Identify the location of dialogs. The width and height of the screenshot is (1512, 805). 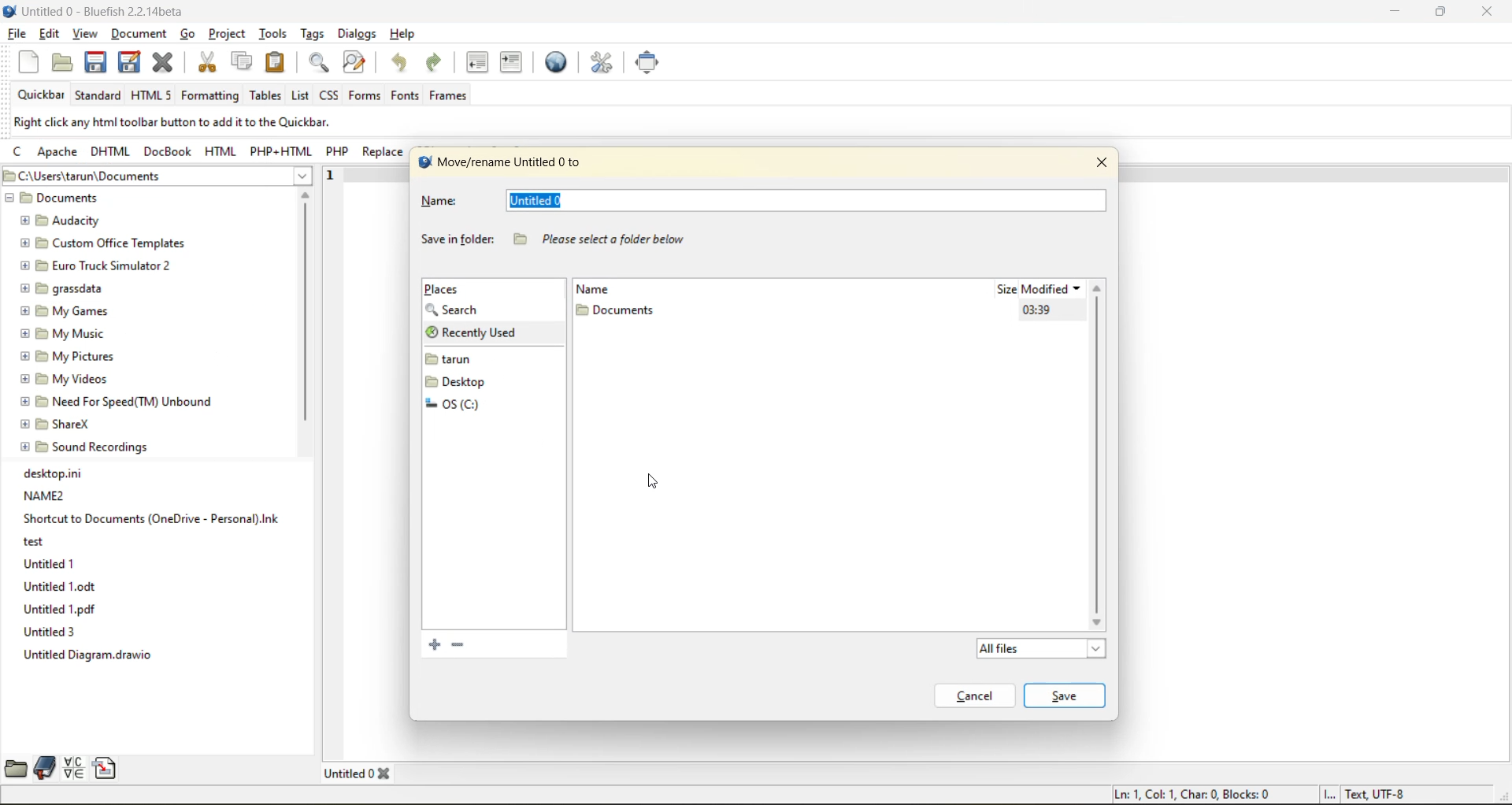
(358, 36).